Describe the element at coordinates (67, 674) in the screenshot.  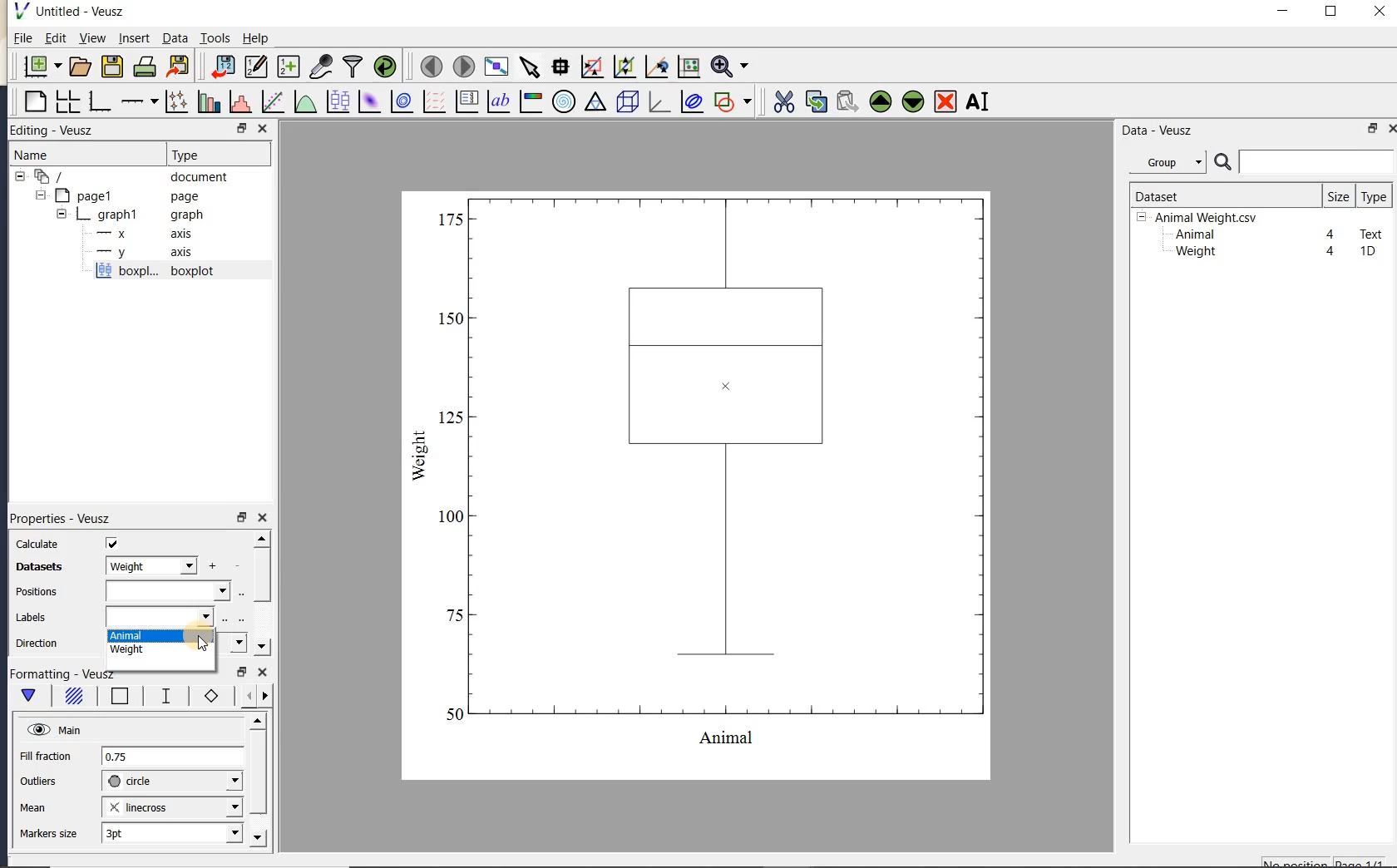
I see `Formatting - Veusz` at that location.